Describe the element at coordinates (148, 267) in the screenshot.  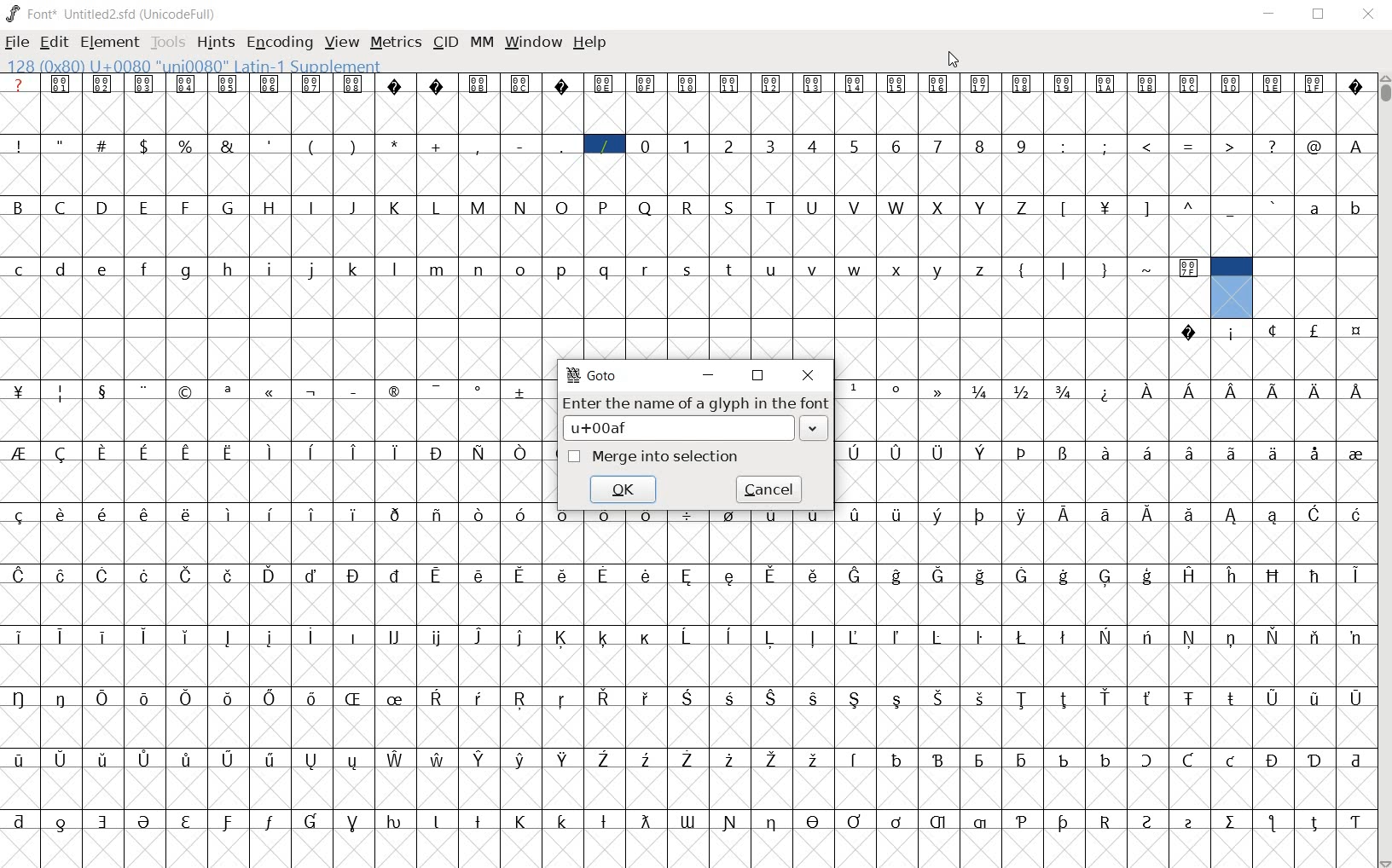
I see `f` at that location.